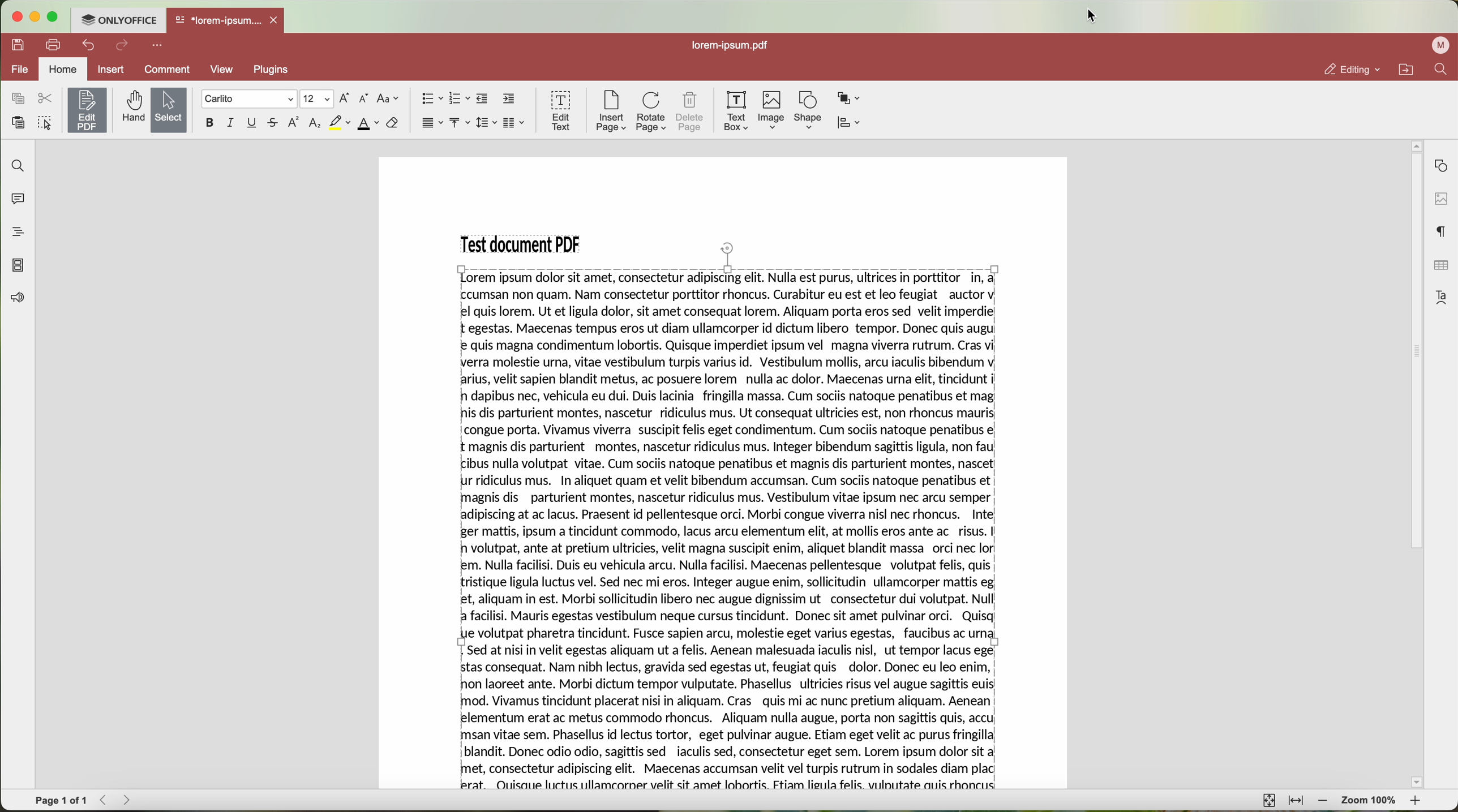 Image resolution: width=1458 pixels, height=812 pixels. I want to click on align shape, so click(851, 122).